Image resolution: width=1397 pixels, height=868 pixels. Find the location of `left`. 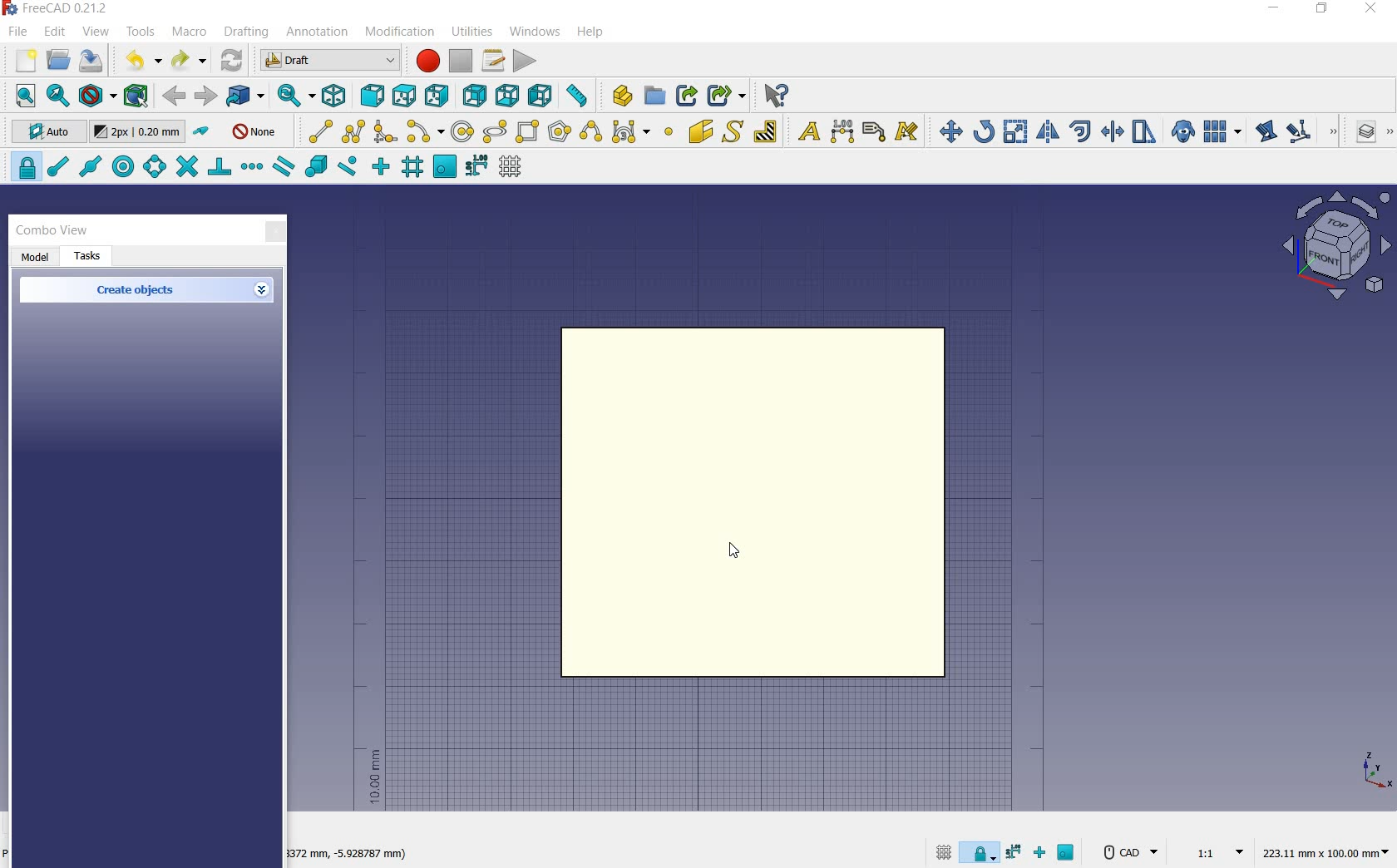

left is located at coordinates (544, 96).